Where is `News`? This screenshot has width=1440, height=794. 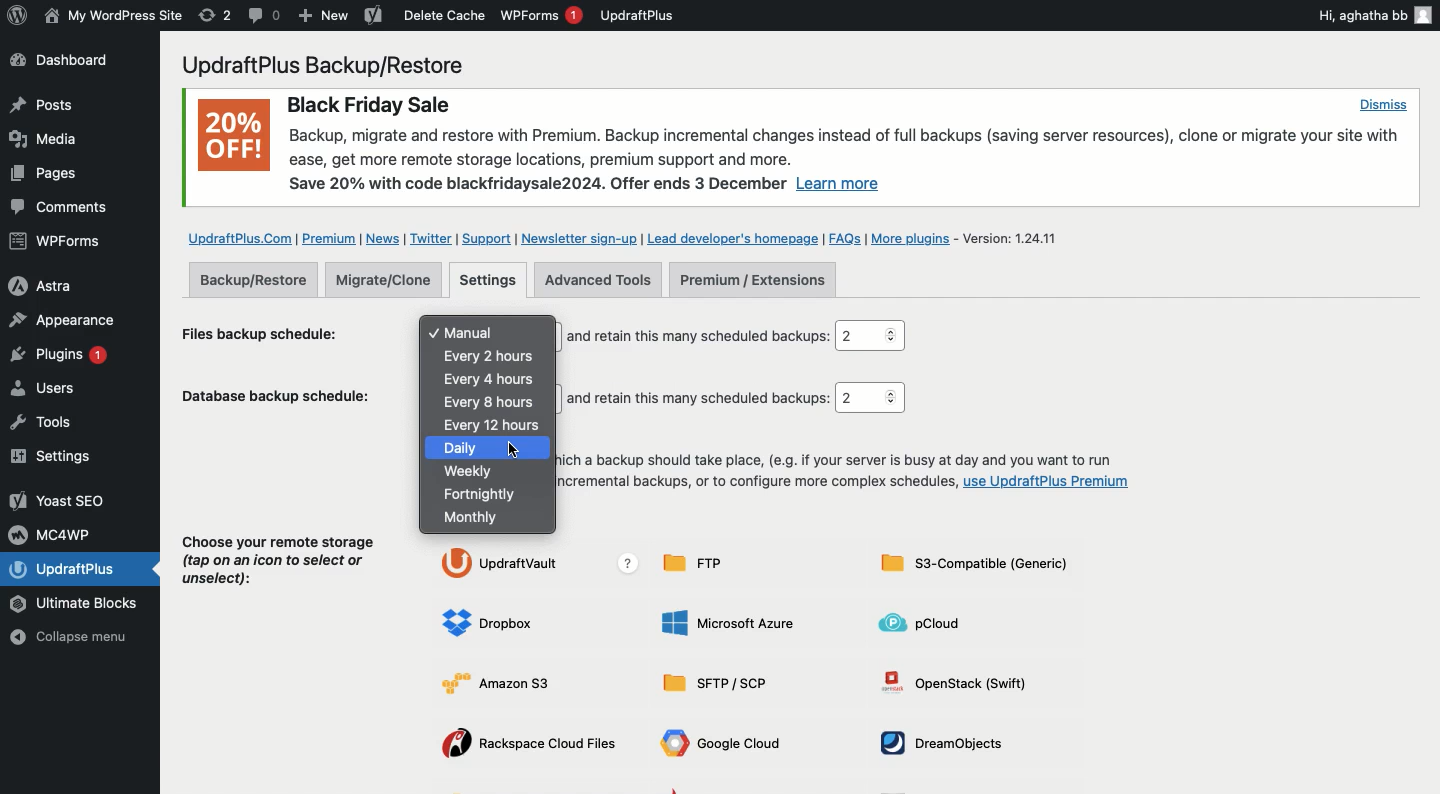
News is located at coordinates (385, 239).